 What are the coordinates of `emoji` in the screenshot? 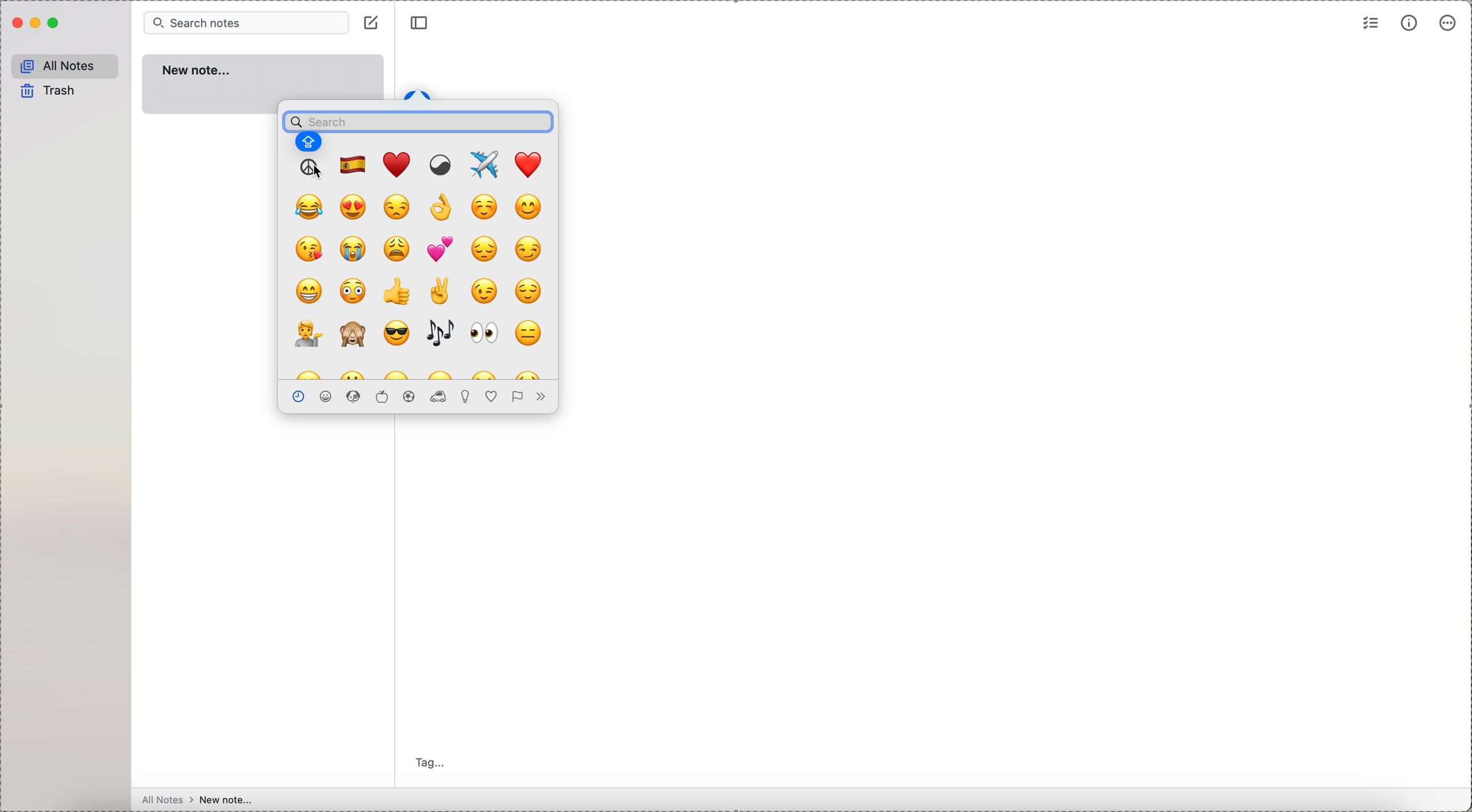 It's located at (527, 250).